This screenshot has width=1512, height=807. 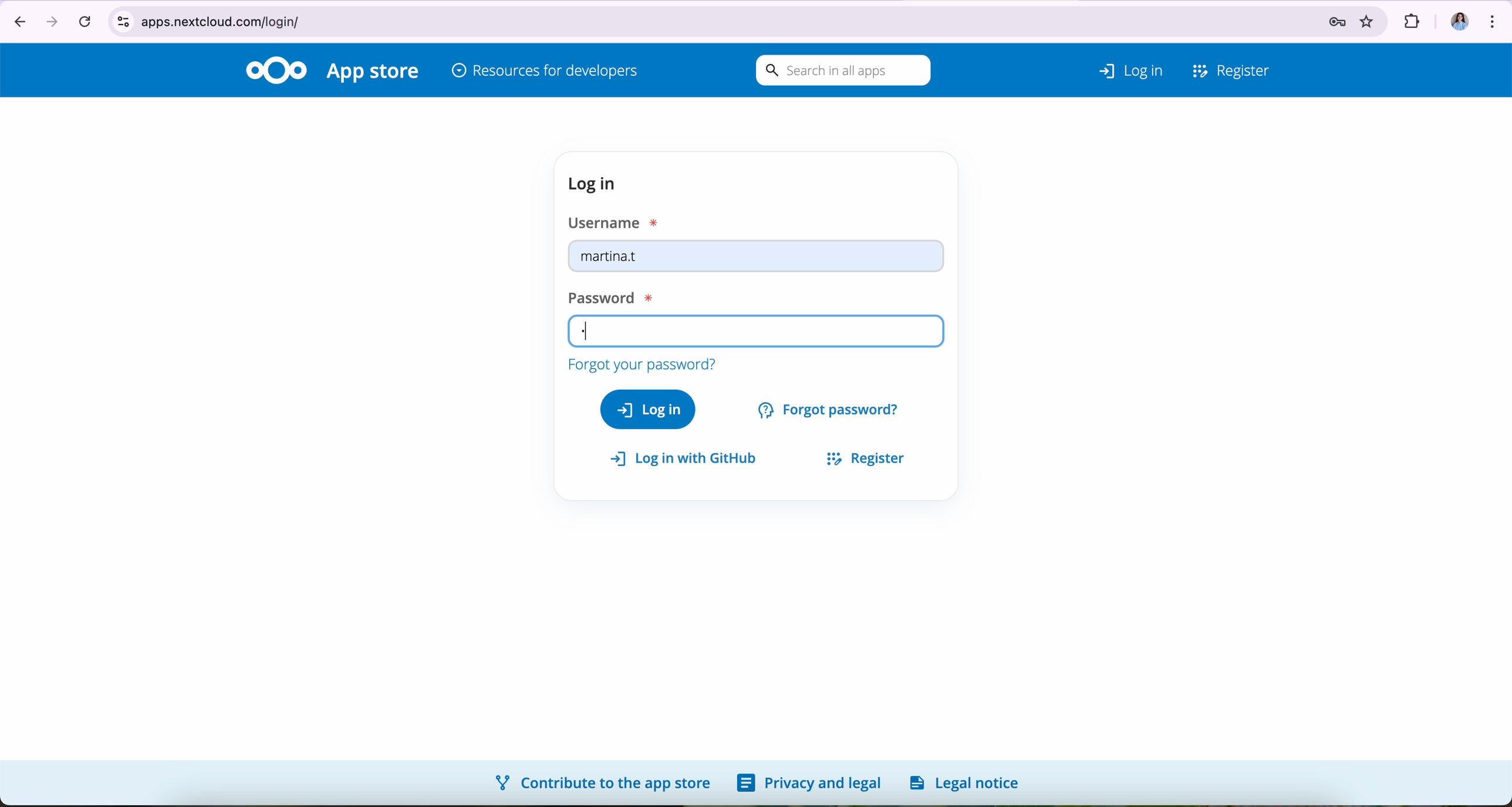 I want to click on username*, so click(x=616, y=221).